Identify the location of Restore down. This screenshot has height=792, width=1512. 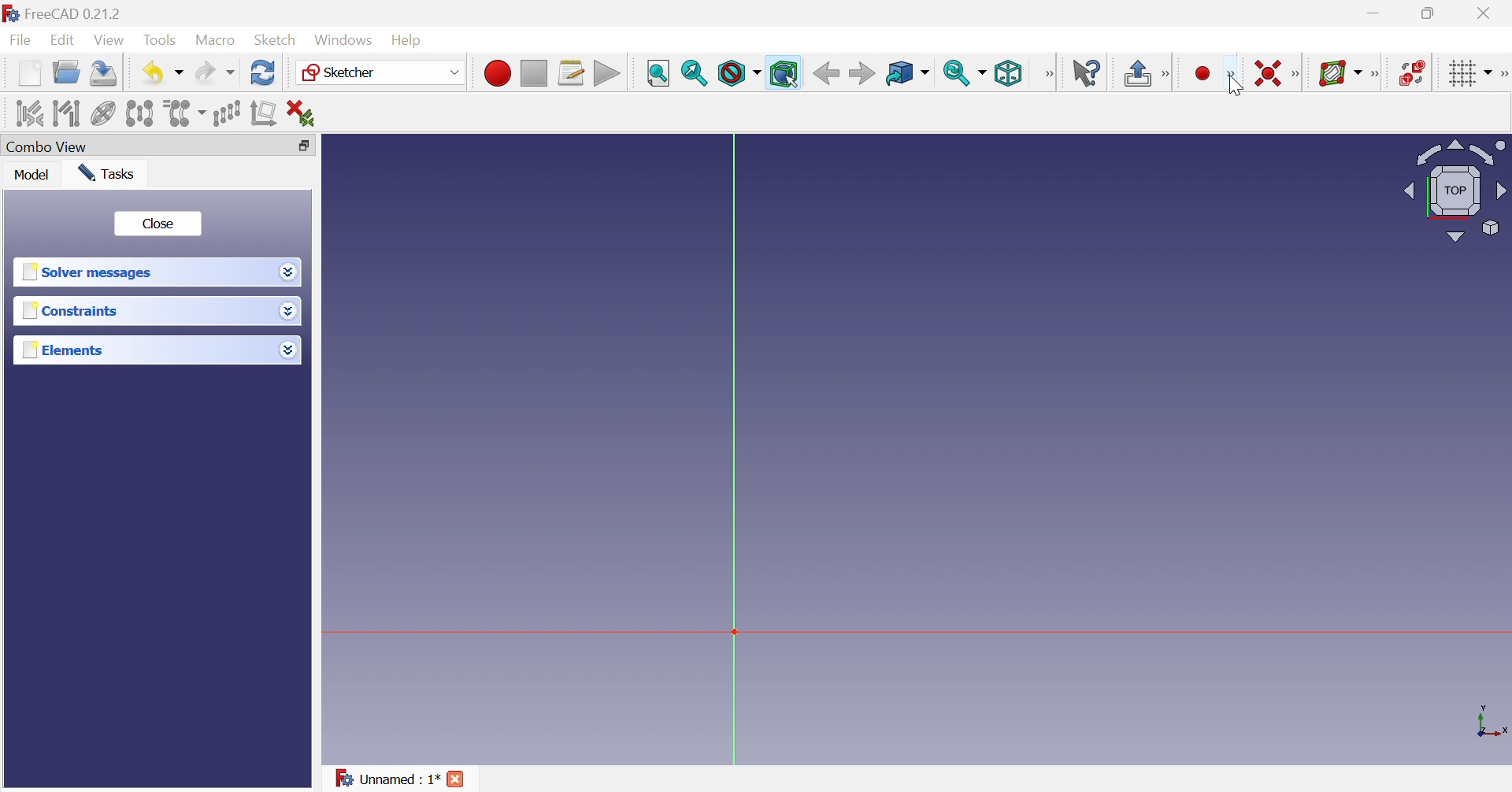
(306, 147).